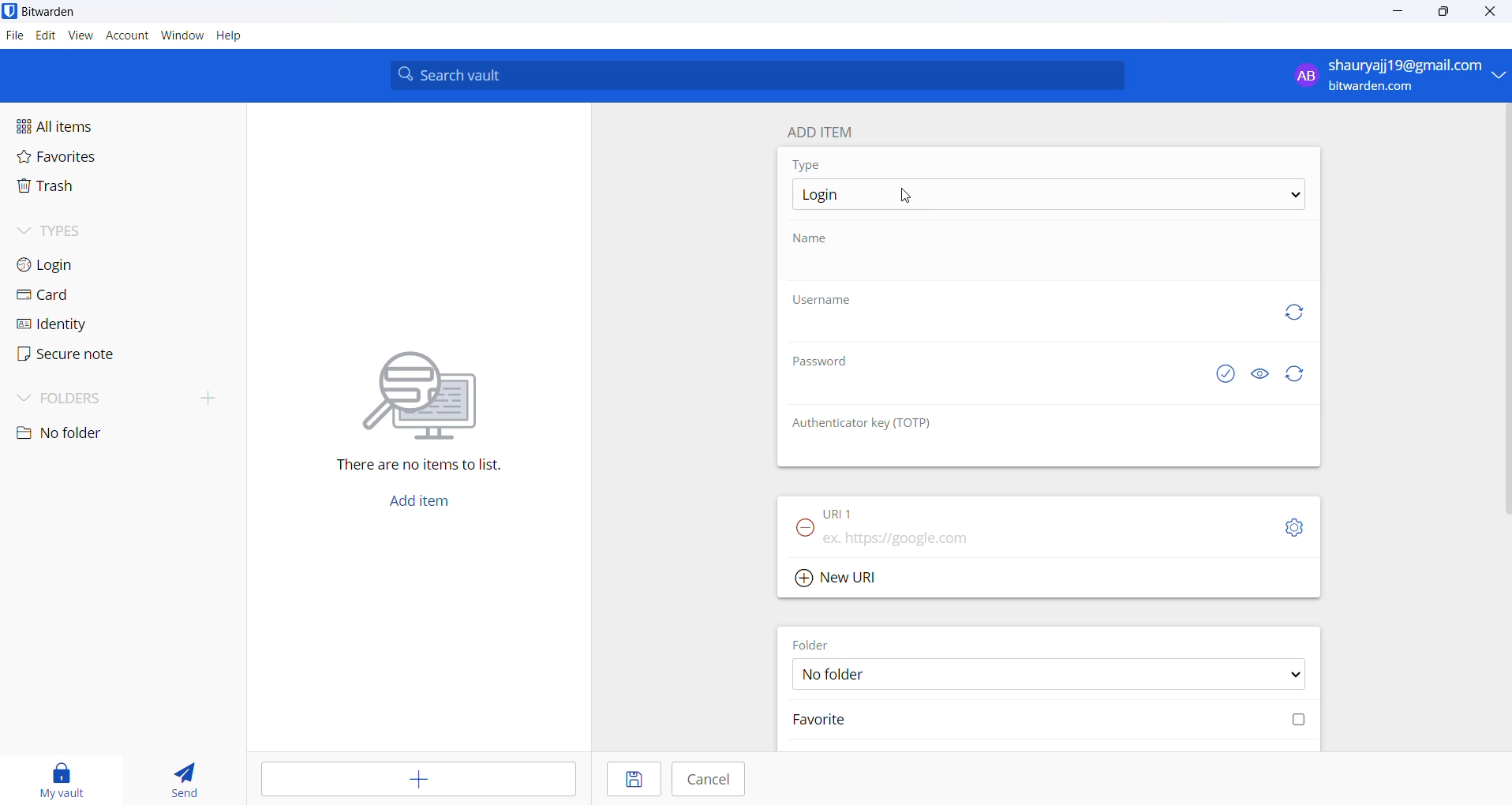  Describe the element at coordinates (88, 127) in the screenshot. I see `all items` at that location.